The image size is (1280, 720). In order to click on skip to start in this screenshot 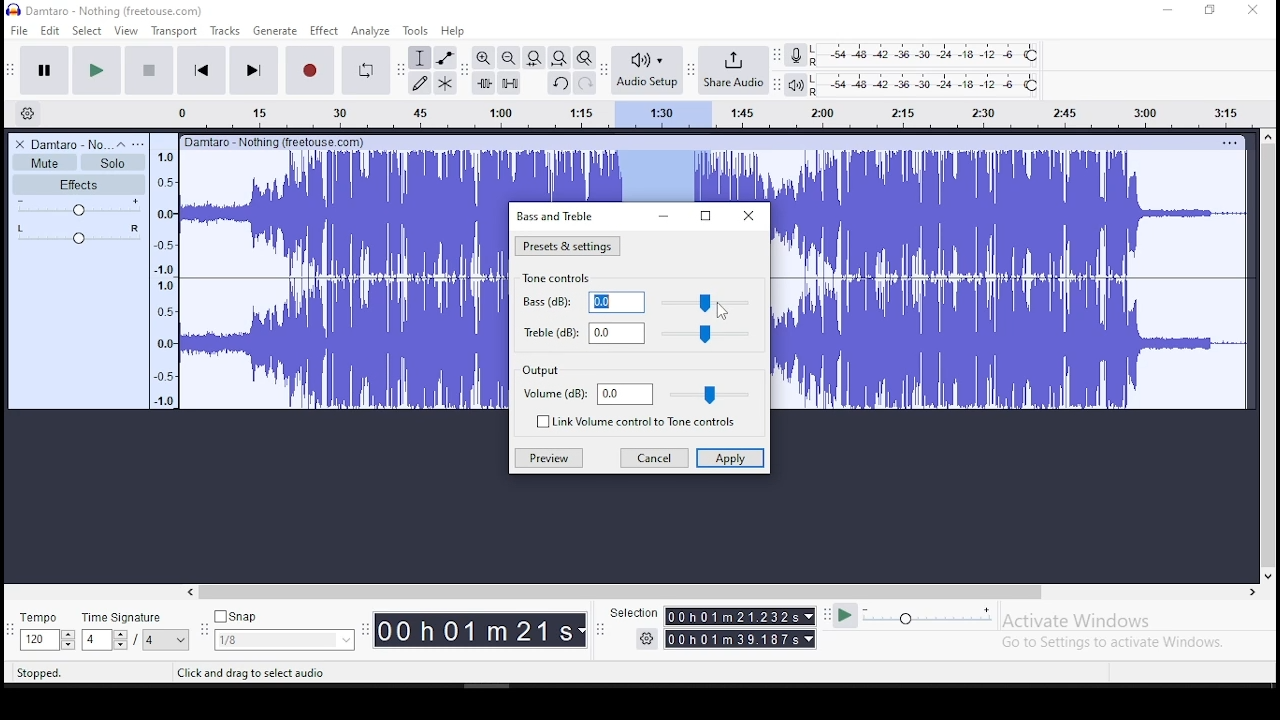, I will do `click(202, 69)`.